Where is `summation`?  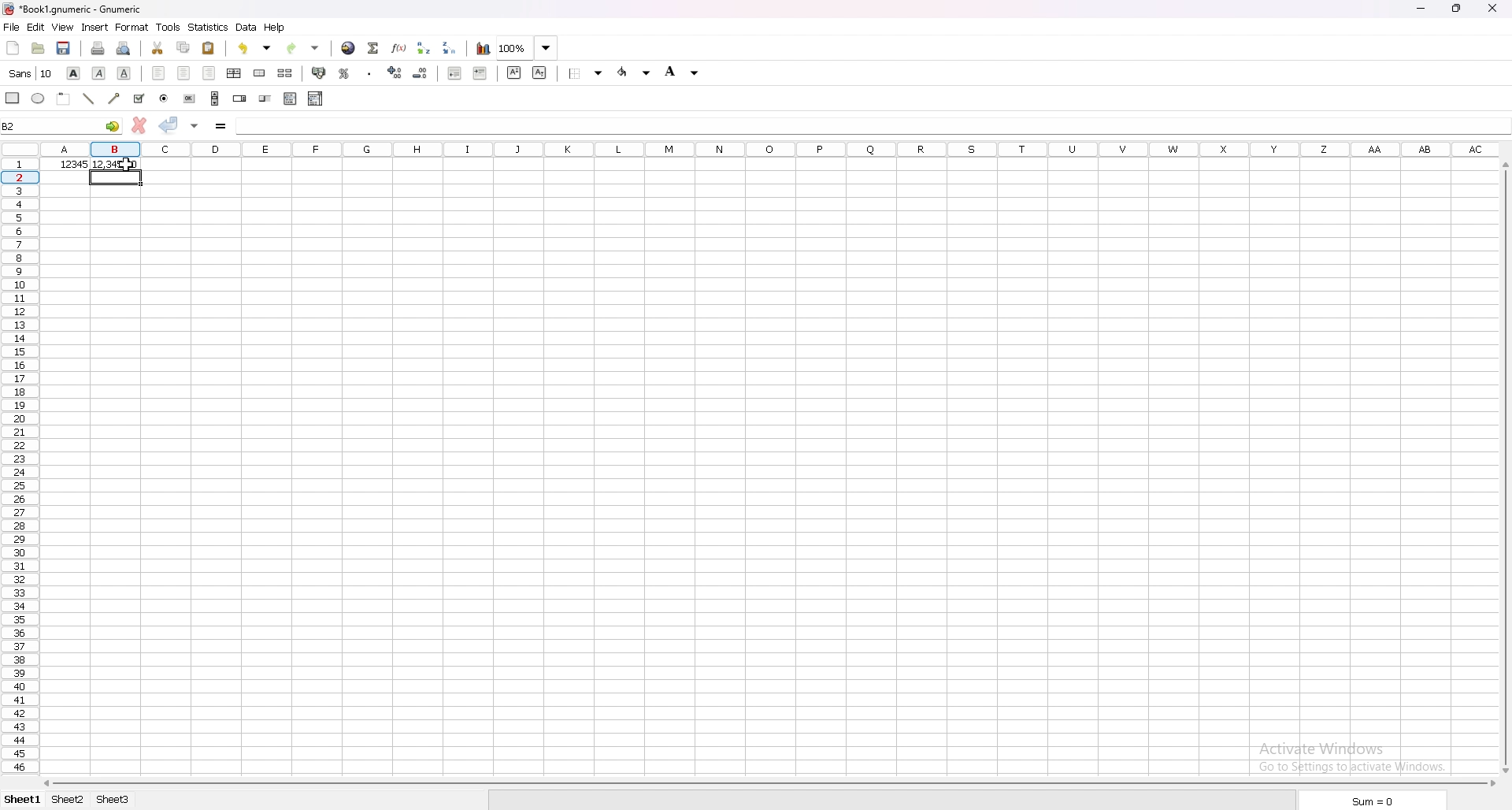 summation is located at coordinates (374, 49).